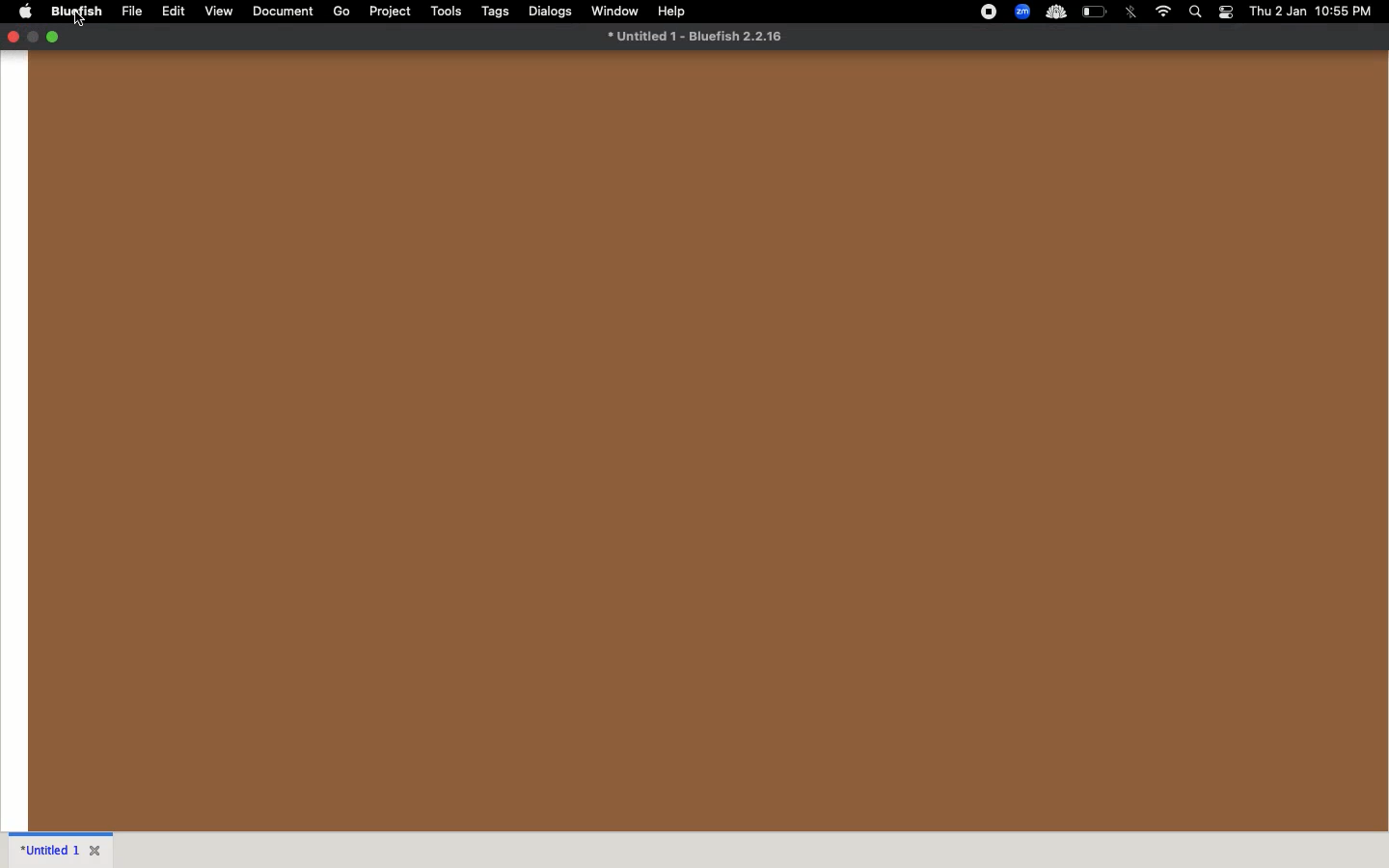  What do you see at coordinates (988, 12) in the screenshot?
I see `Record button` at bounding box center [988, 12].